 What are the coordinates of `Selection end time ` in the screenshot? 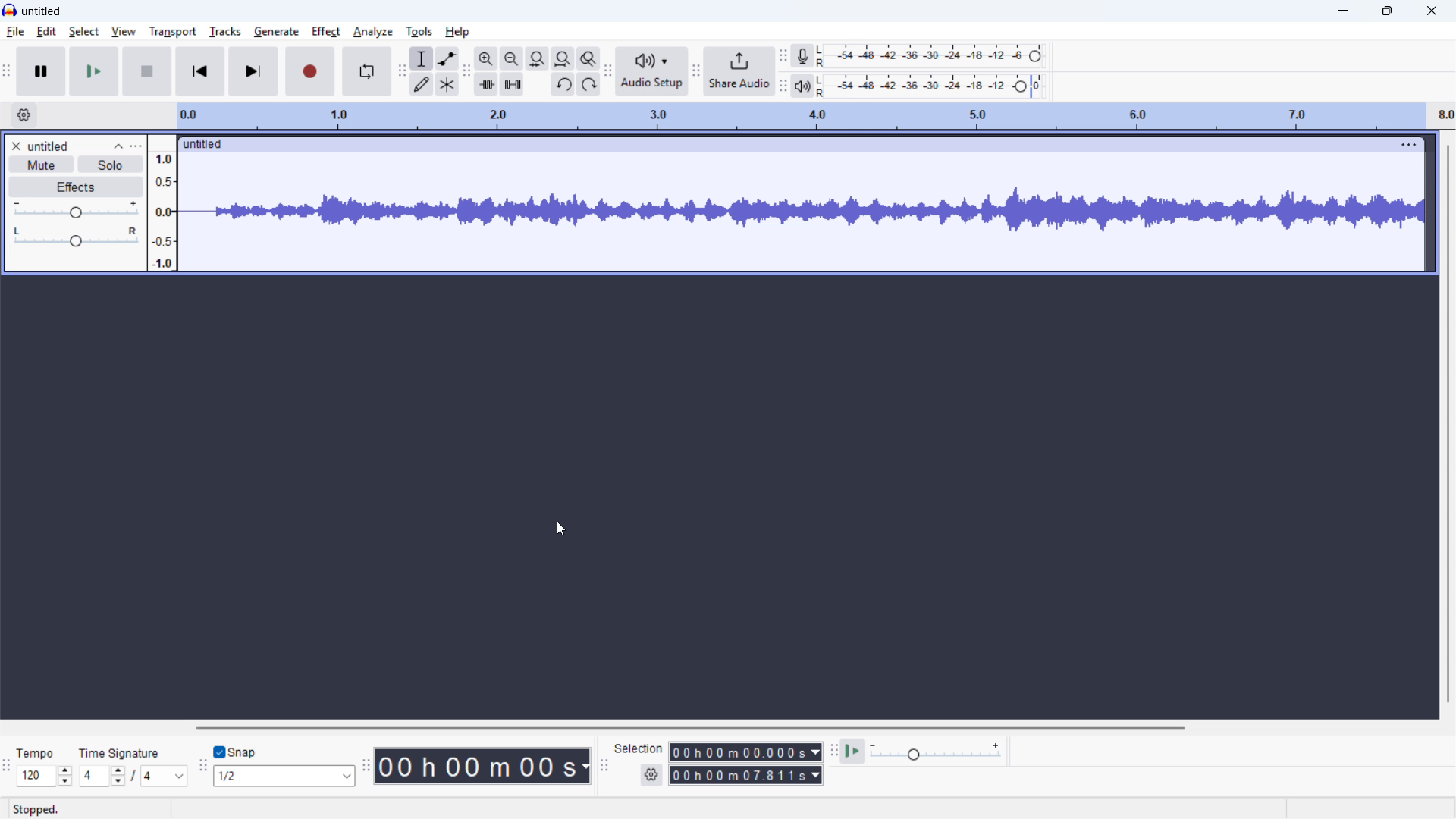 It's located at (747, 776).